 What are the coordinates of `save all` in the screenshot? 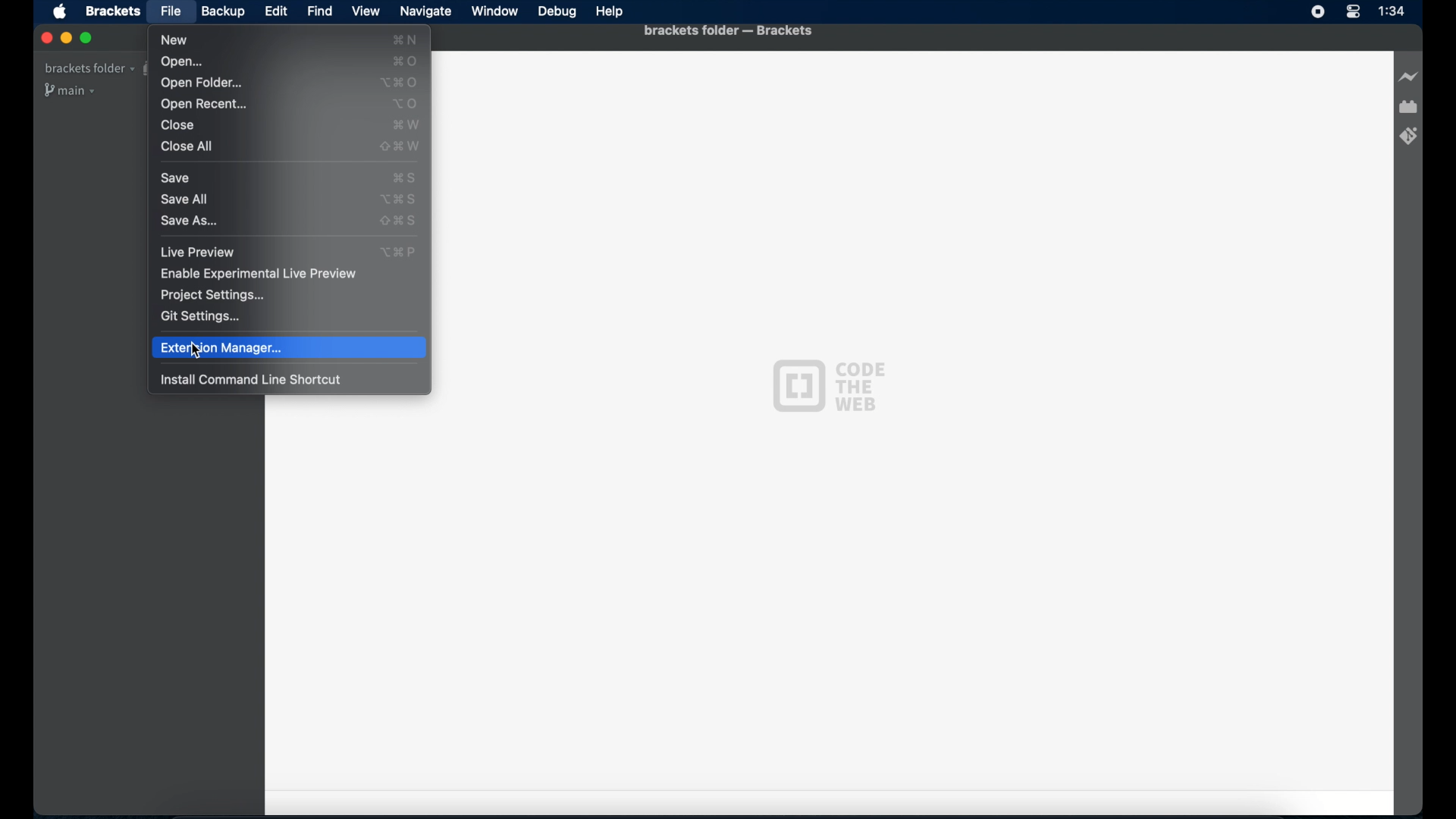 It's located at (184, 199).